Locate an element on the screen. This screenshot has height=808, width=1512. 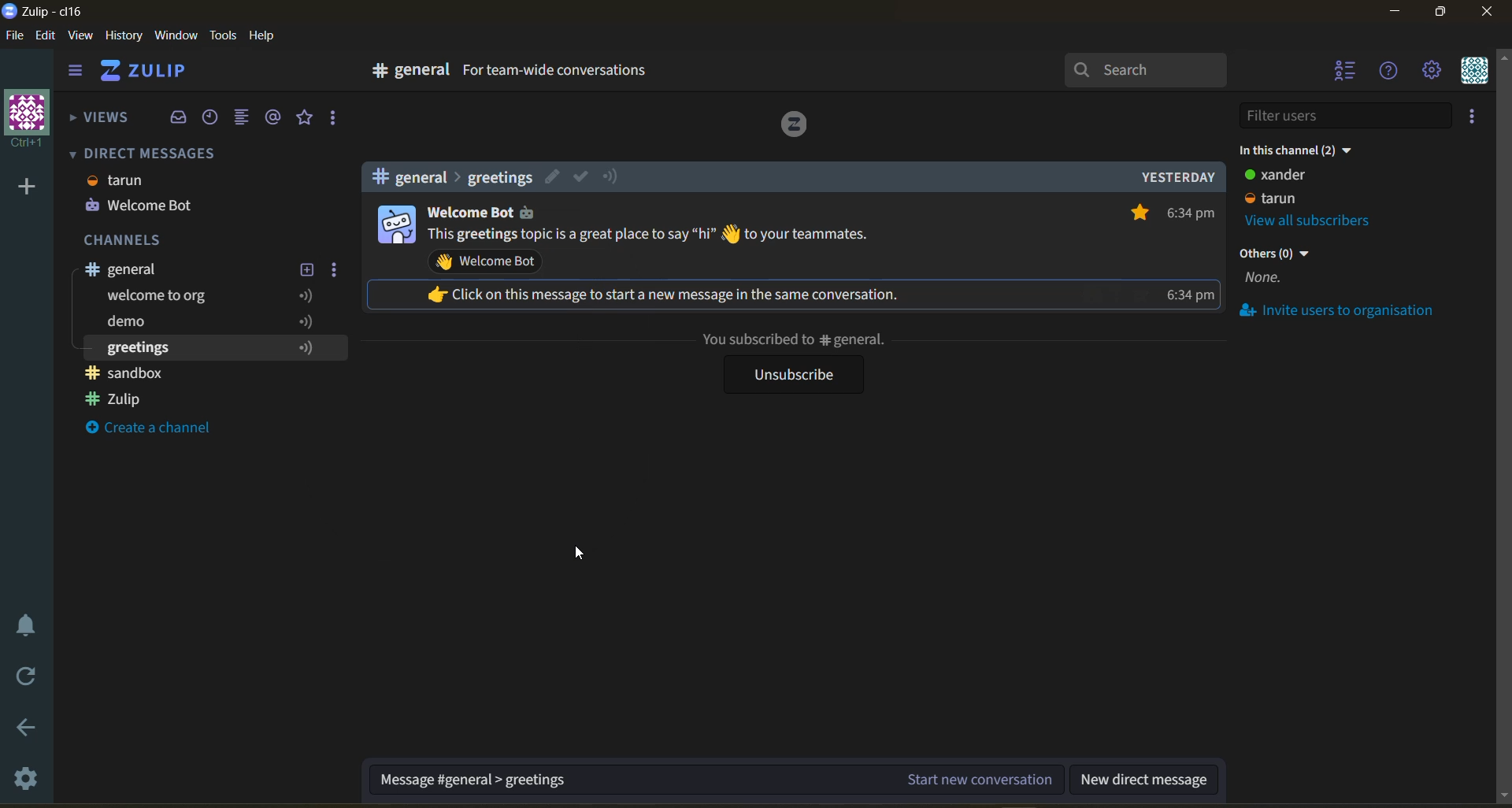
go back is located at coordinates (25, 730).